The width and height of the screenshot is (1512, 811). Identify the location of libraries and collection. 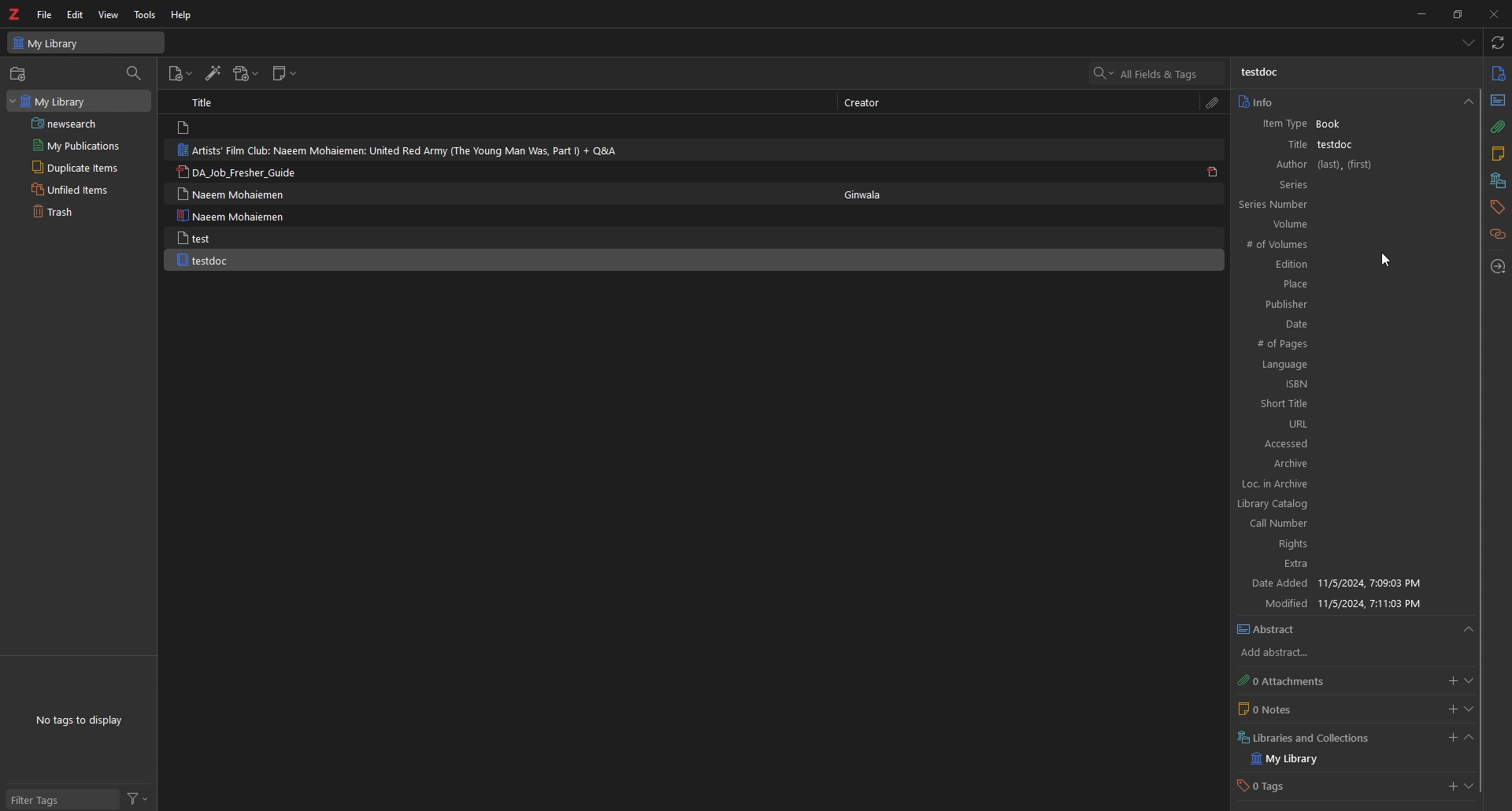
(1498, 182).